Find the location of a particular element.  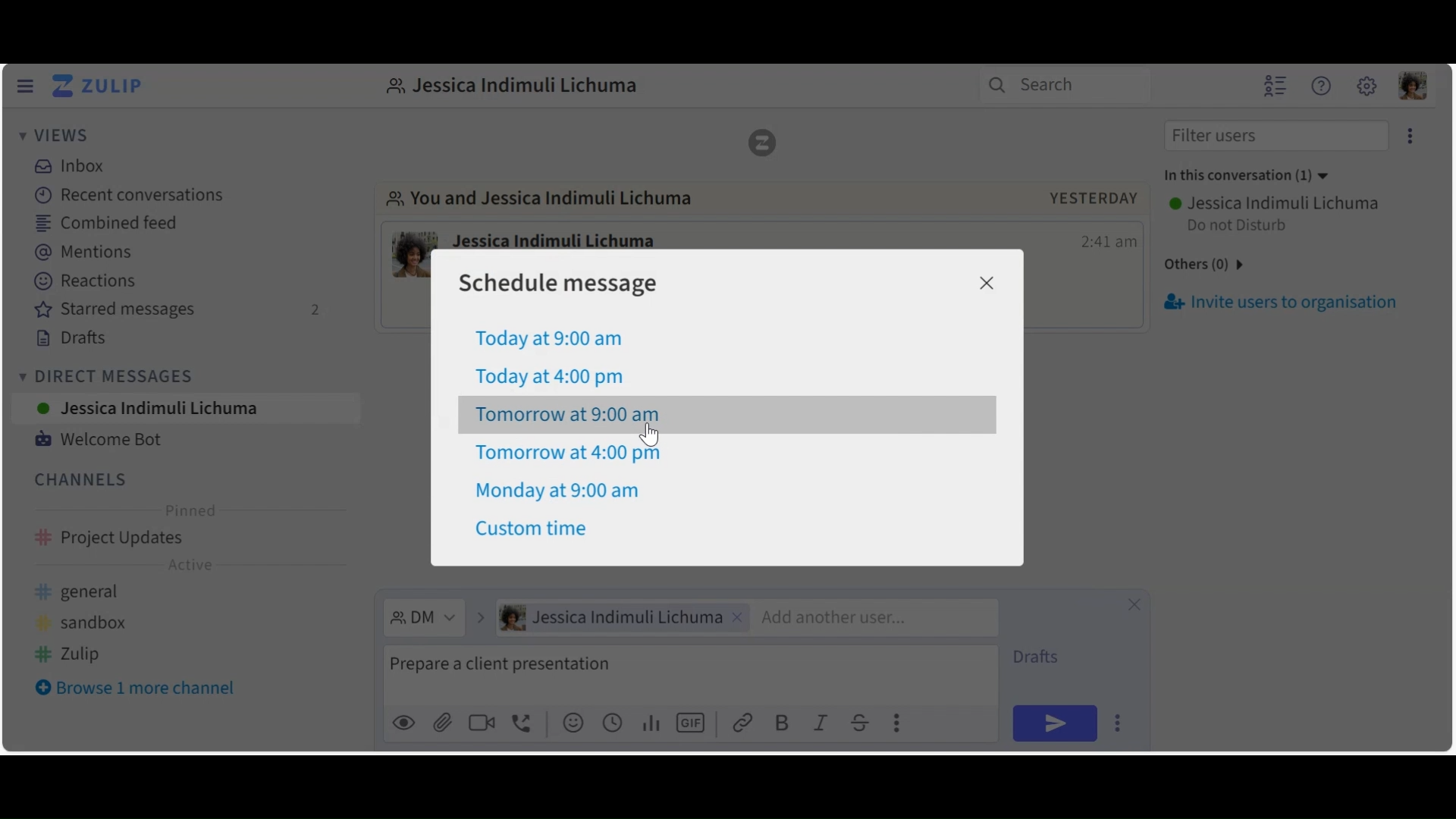

Close is located at coordinates (989, 281).